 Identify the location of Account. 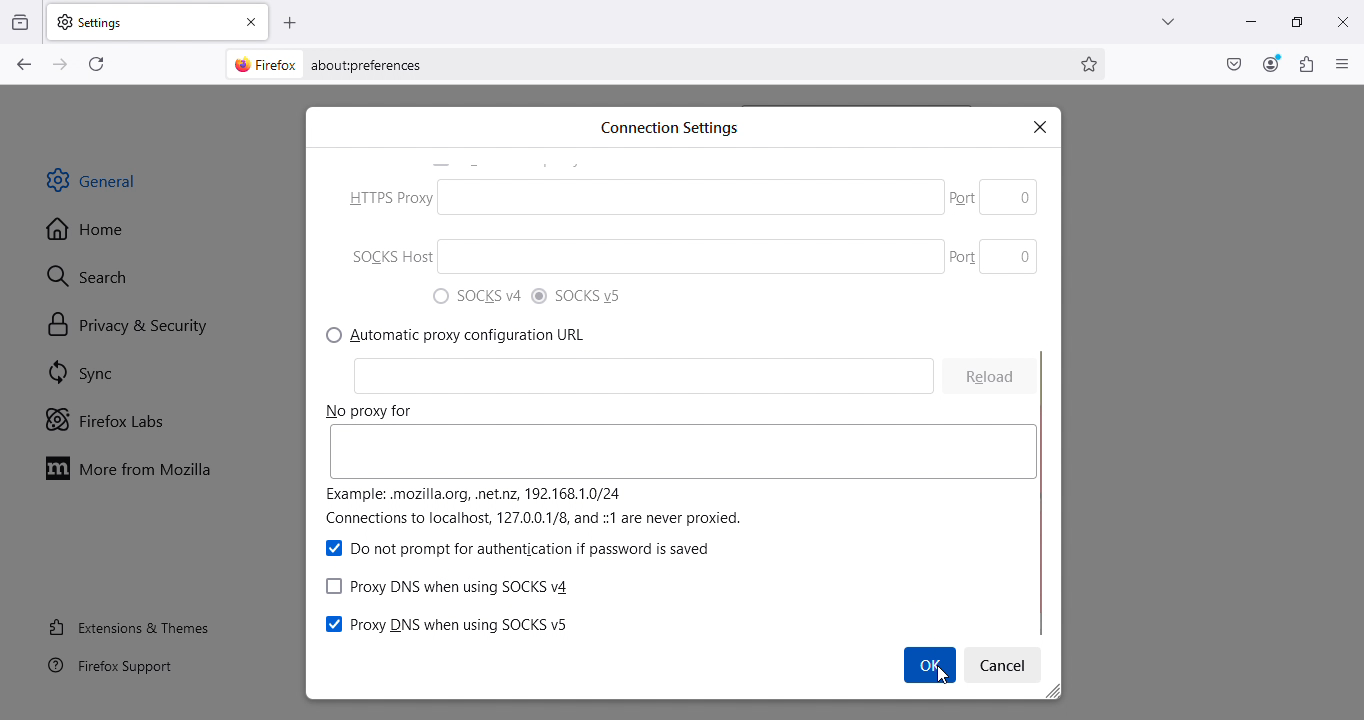
(1271, 64).